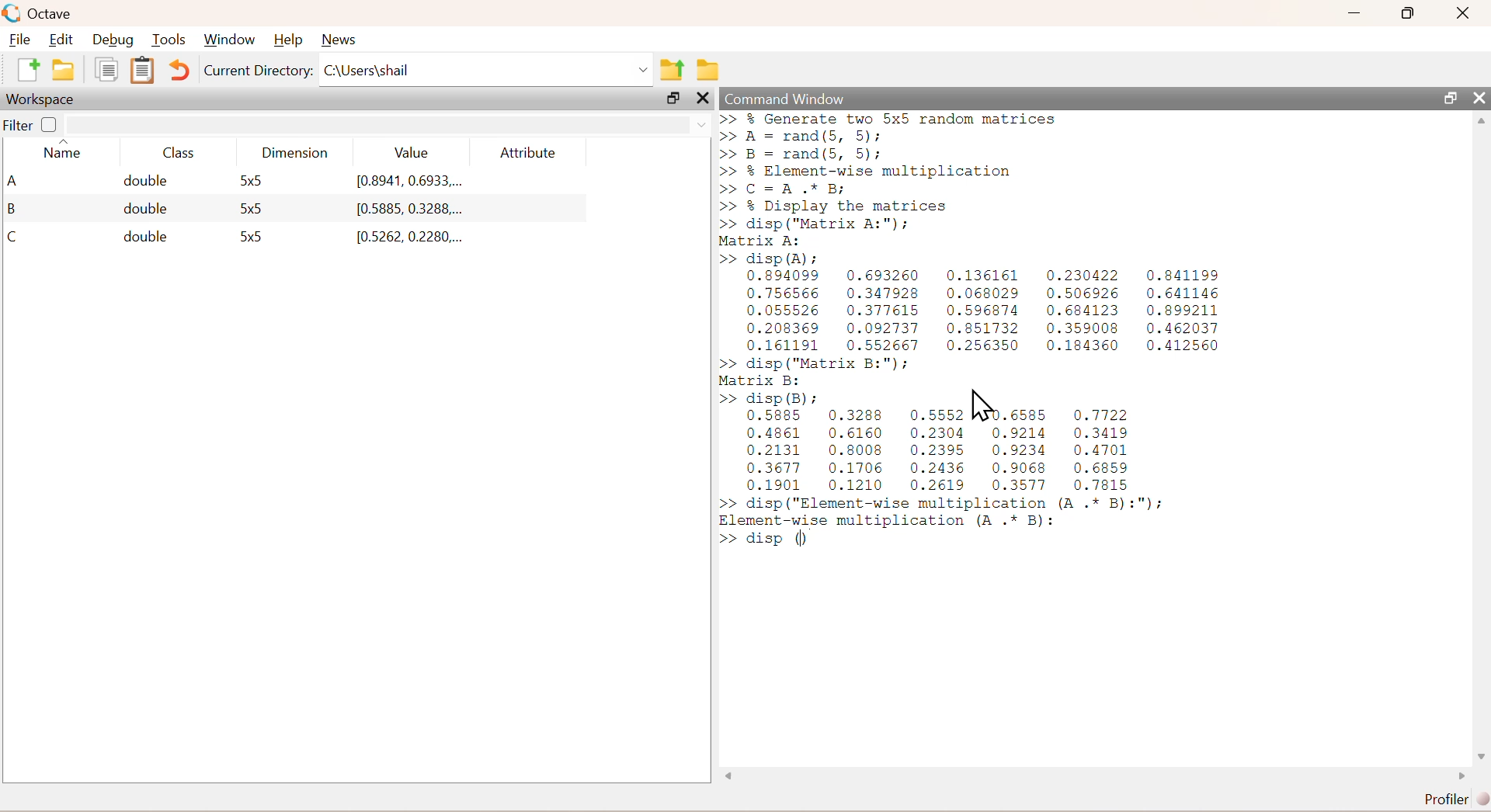 The image size is (1491, 812). I want to click on Profiler, so click(1448, 796).